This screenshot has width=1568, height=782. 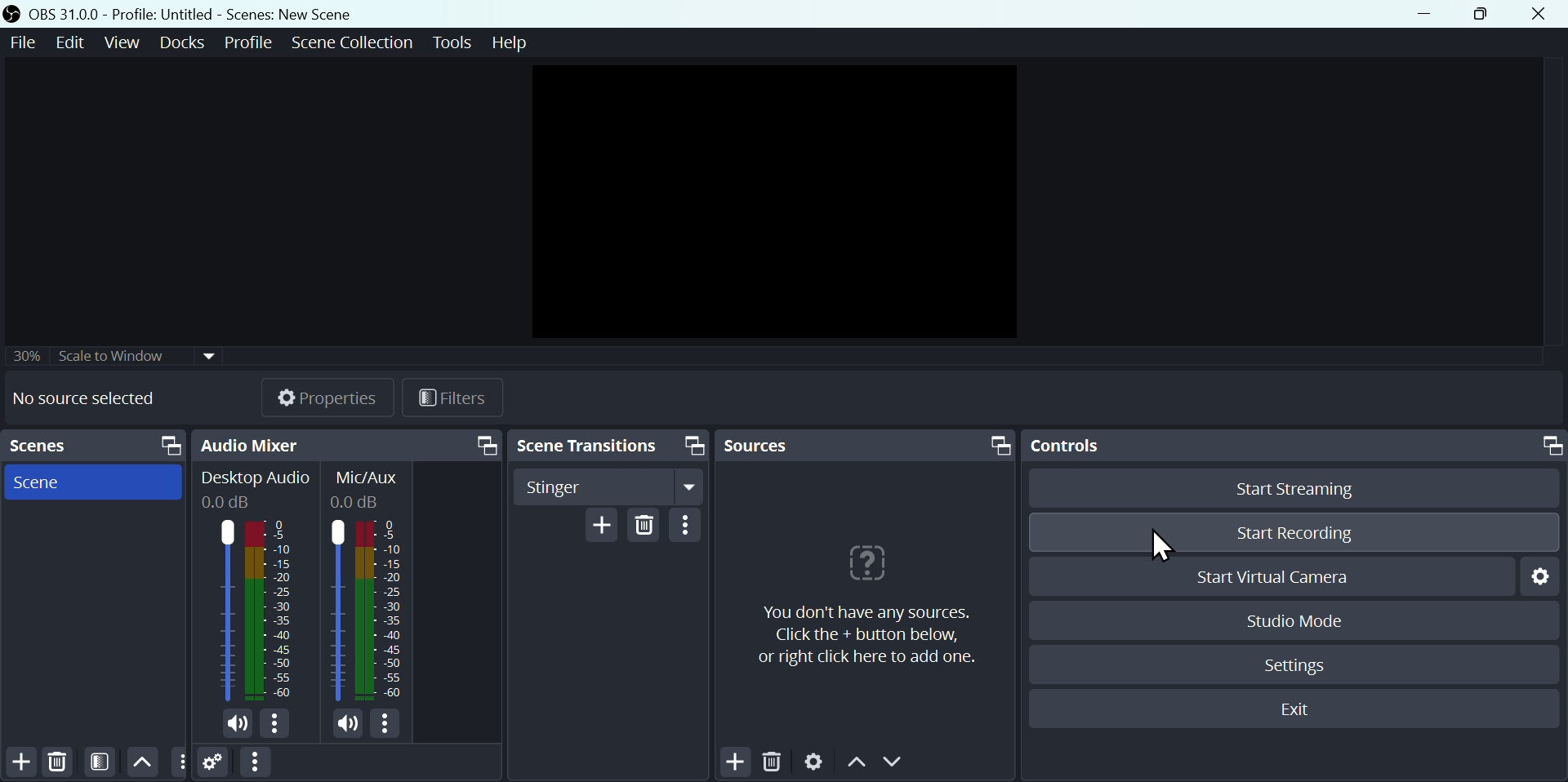 What do you see at coordinates (141, 762) in the screenshot?
I see `up` at bounding box center [141, 762].